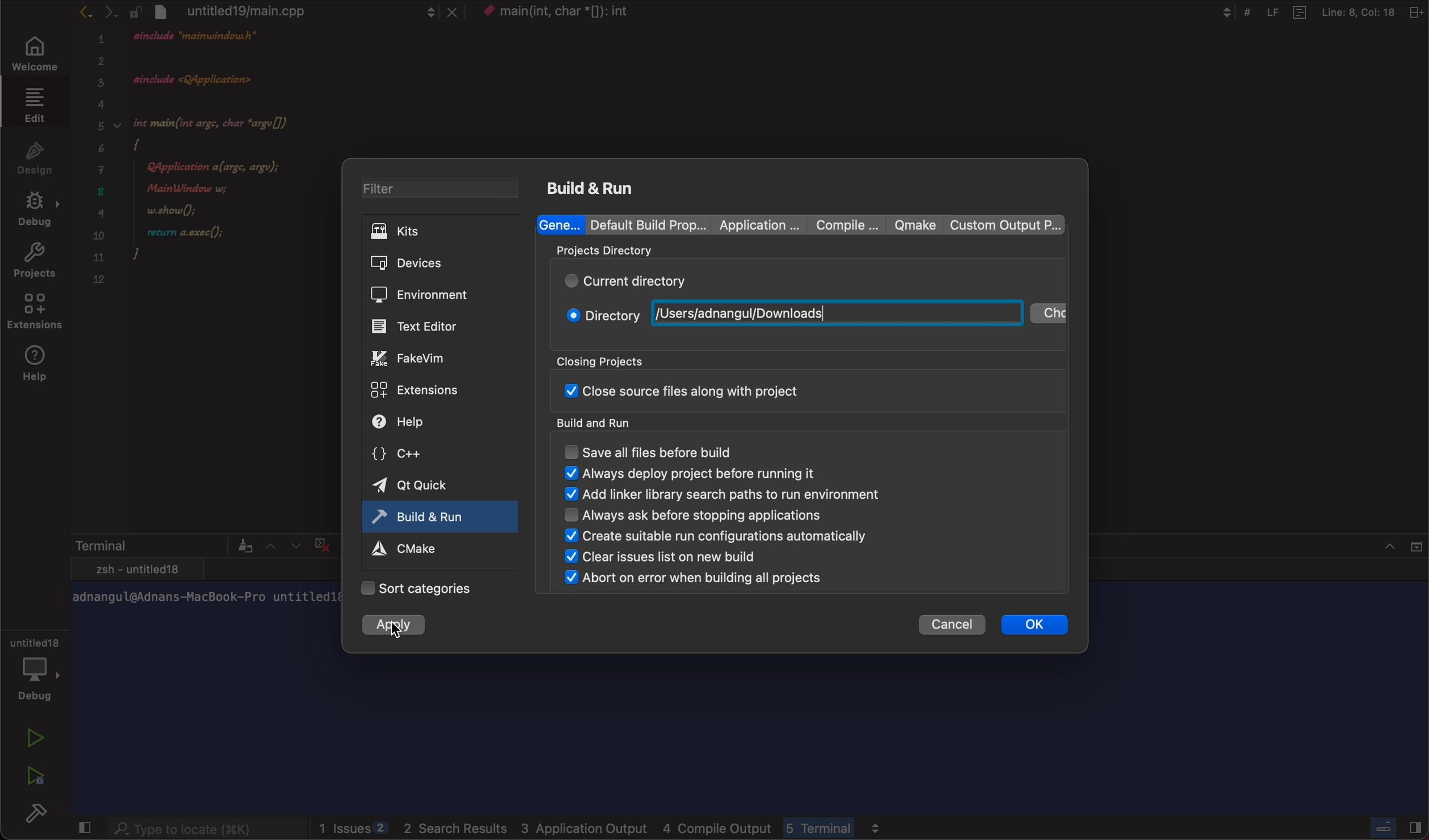 Image resolution: width=1429 pixels, height=840 pixels. What do you see at coordinates (445, 517) in the screenshot?
I see `active tab` at bounding box center [445, 517].